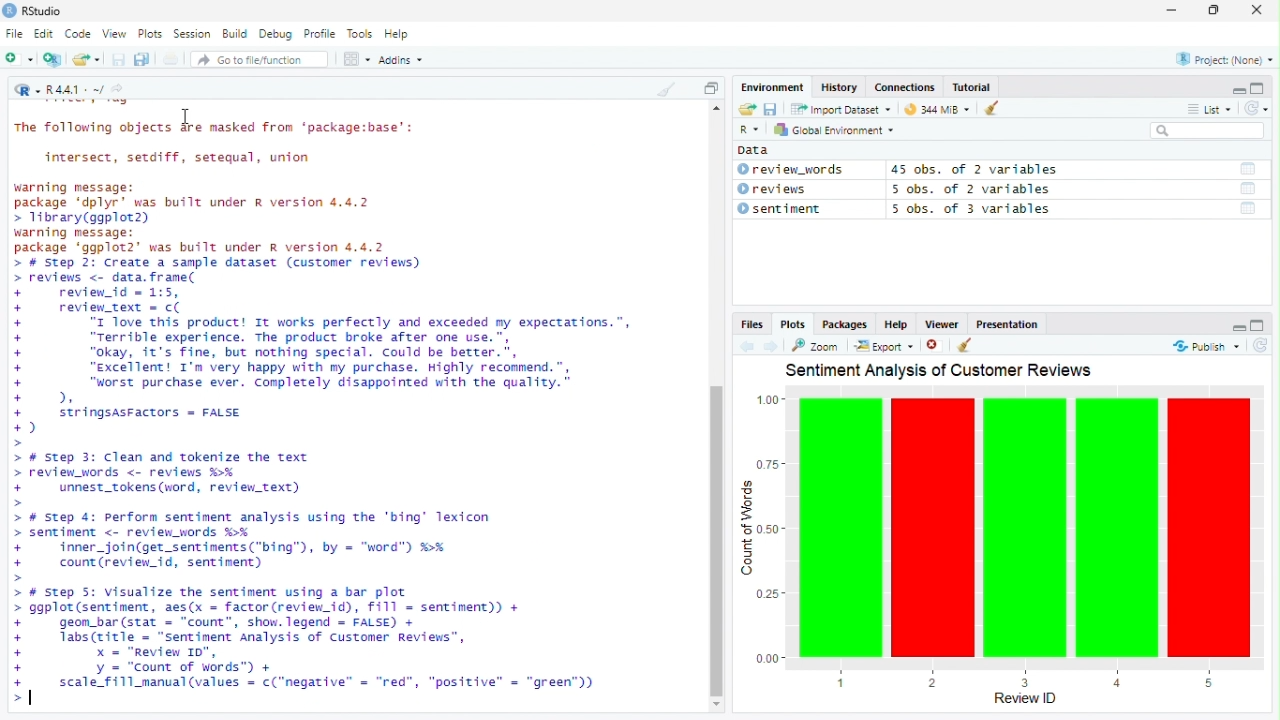  I want to click on Help, so click(897, 323).